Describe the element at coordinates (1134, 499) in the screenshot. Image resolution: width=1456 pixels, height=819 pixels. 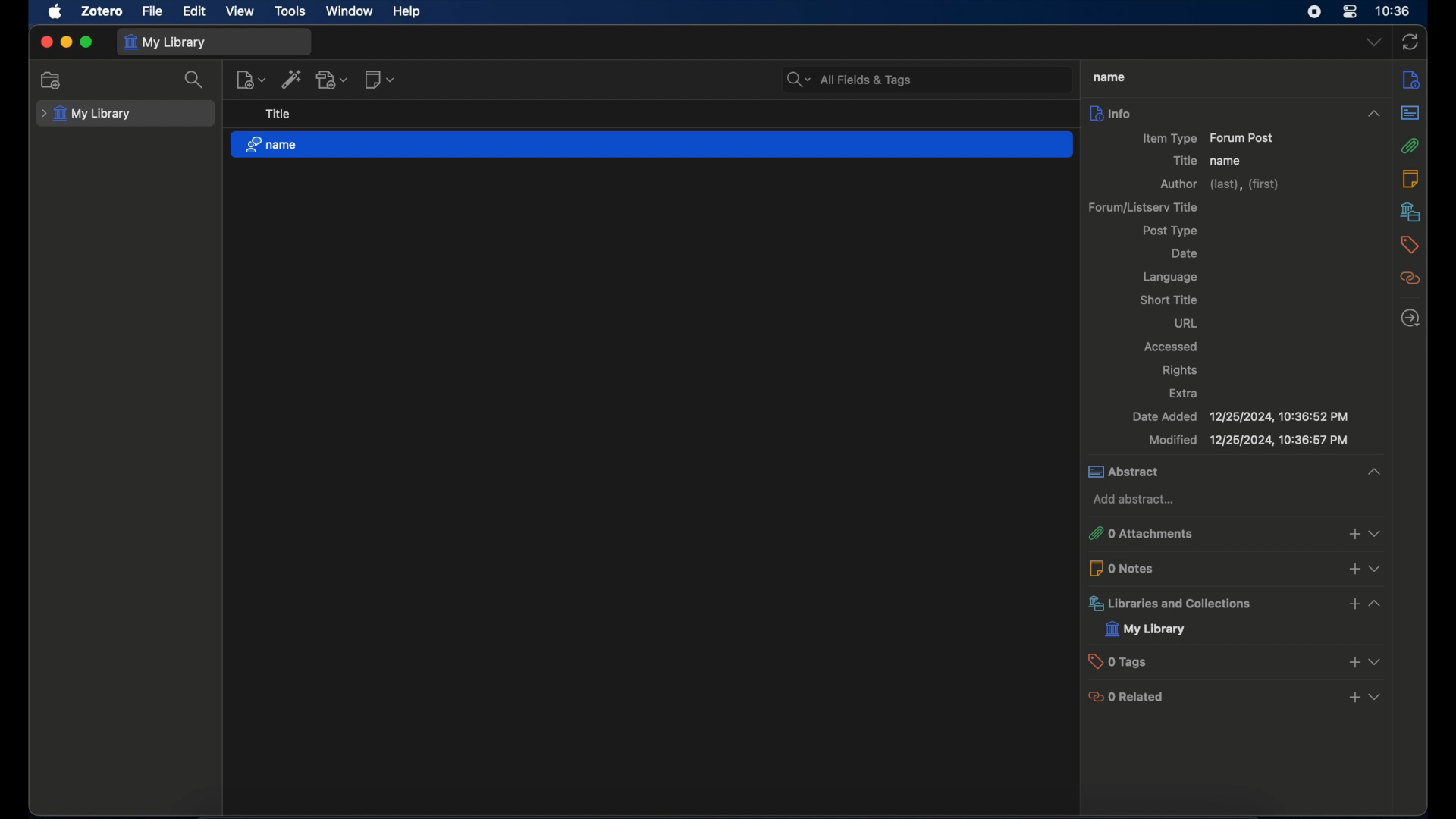
I see `add abstract` at that location.